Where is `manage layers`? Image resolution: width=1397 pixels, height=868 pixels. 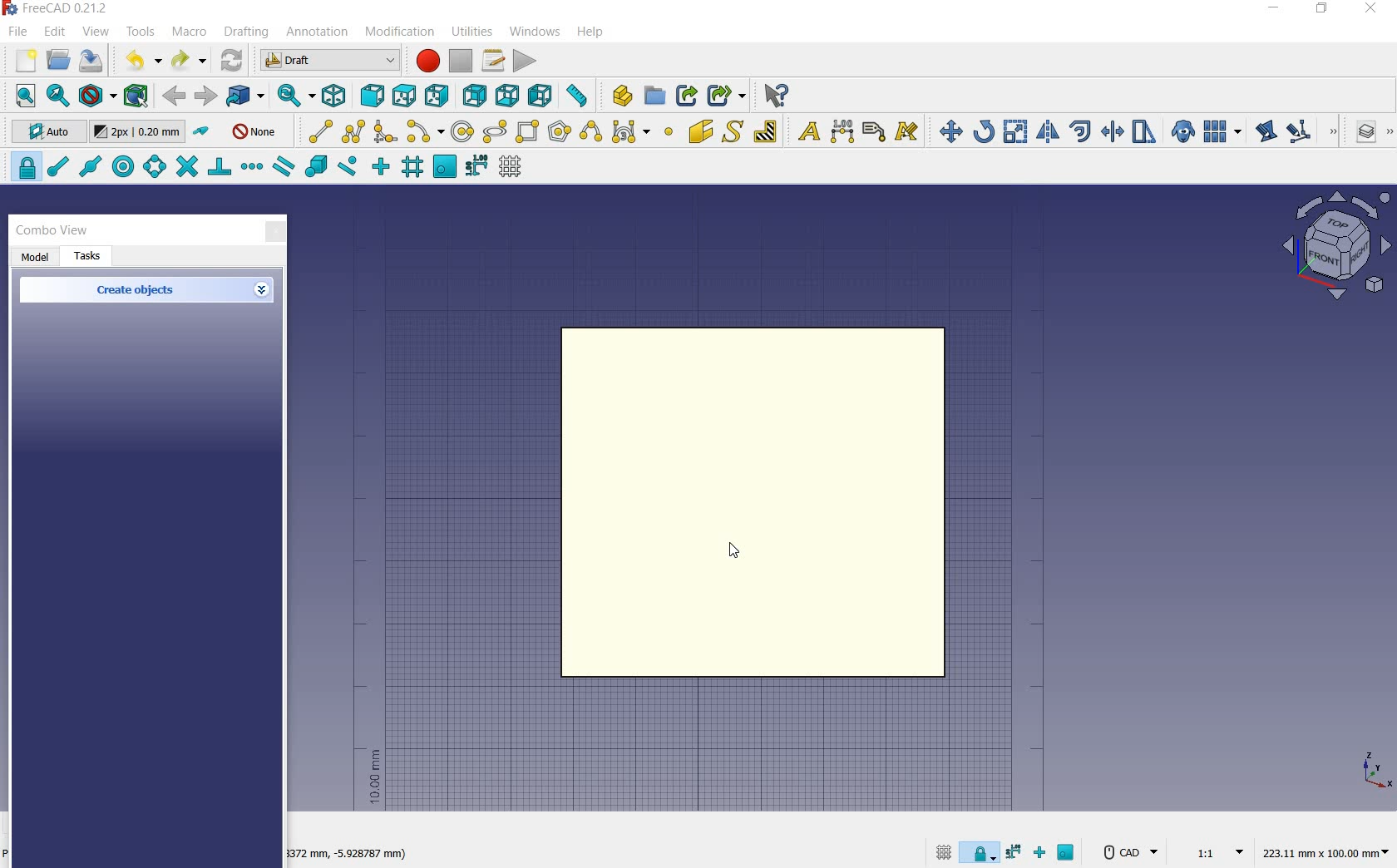
manage layers is located at coordinates (1358, 133).